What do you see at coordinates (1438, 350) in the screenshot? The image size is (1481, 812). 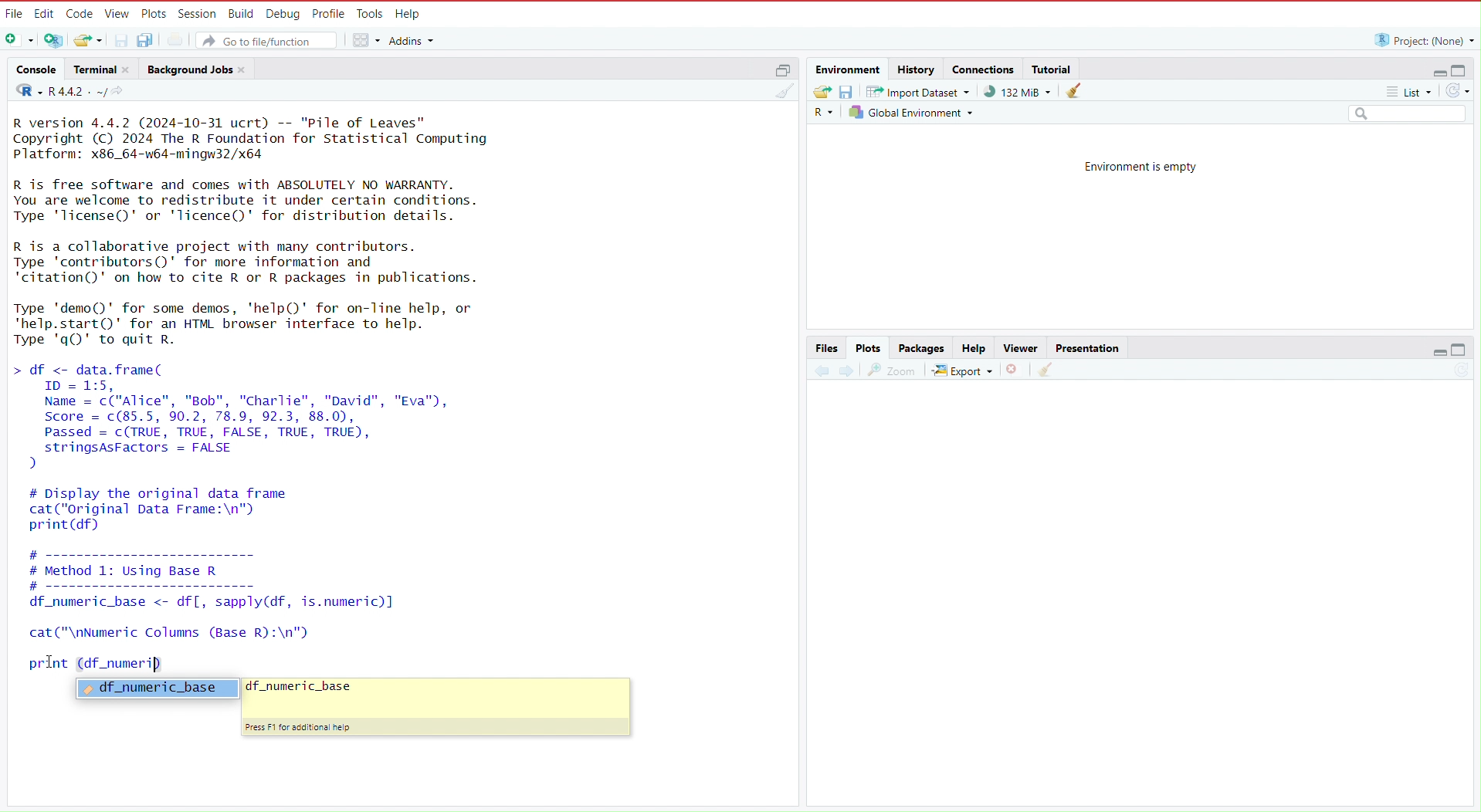 I see `minimize` at bounding box center [1438, 350].